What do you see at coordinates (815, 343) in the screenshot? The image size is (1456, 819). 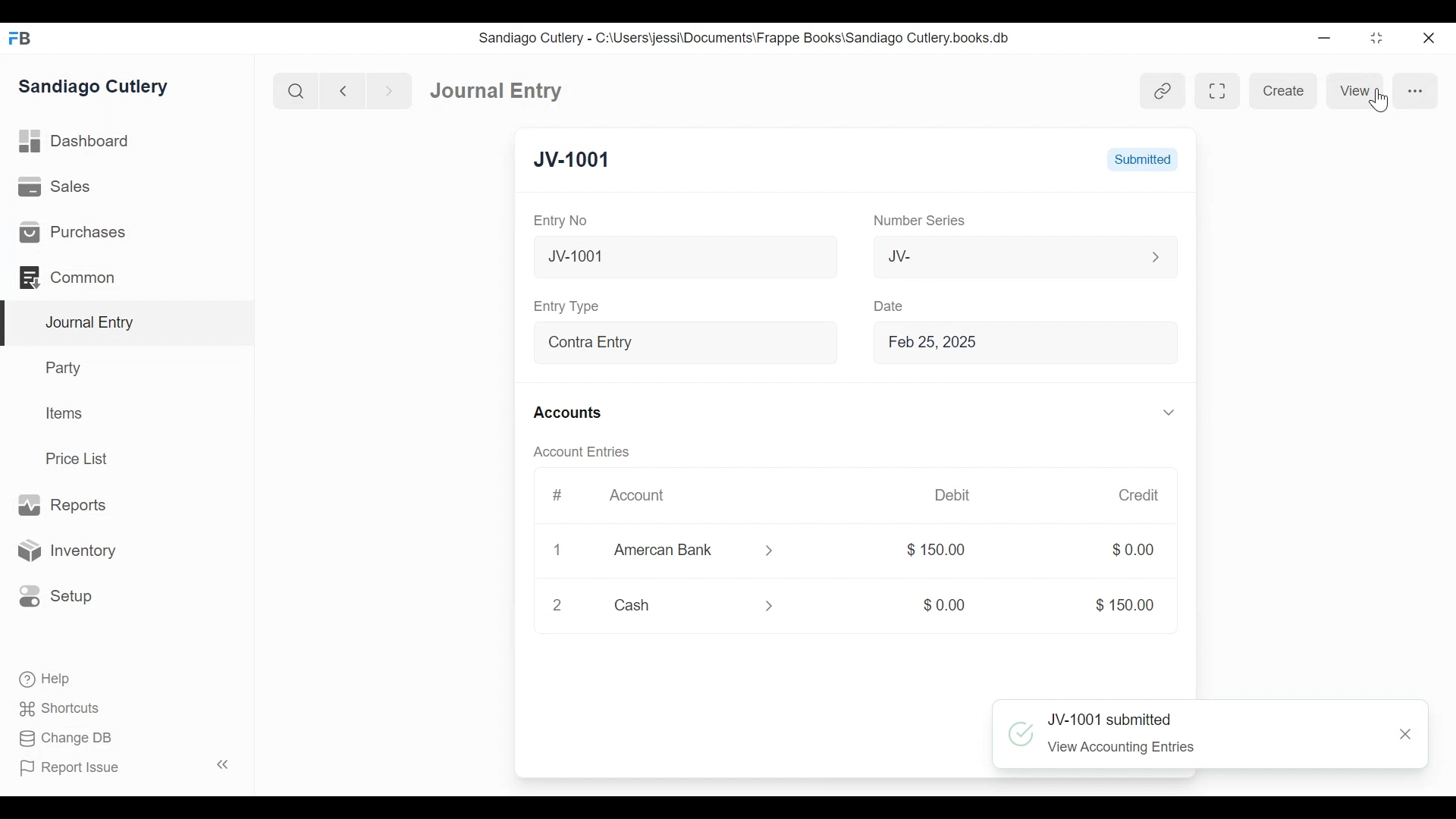 I see `Expand` at bounding box center [815, 343].